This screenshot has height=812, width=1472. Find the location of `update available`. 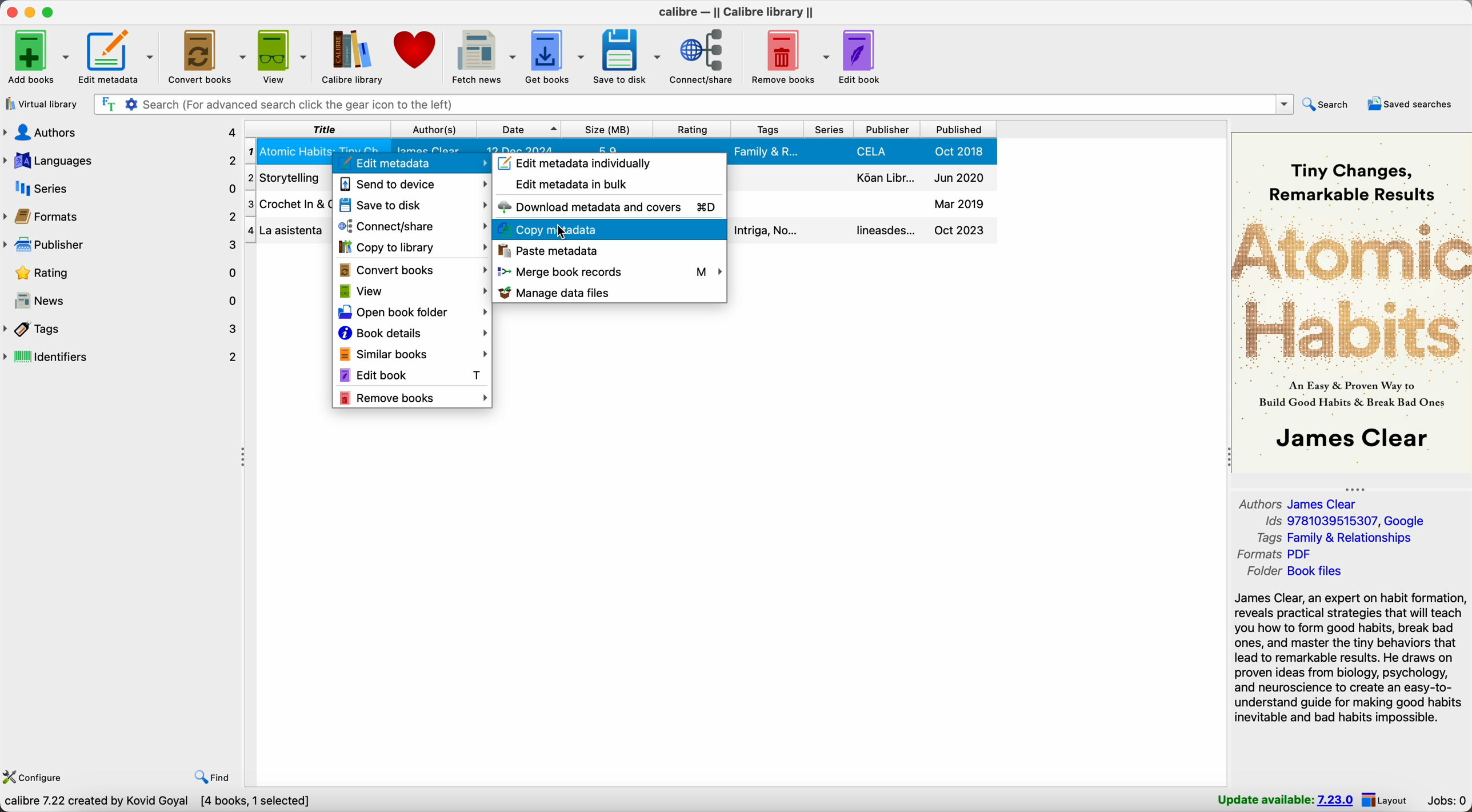

update available is located at coordinates (1282, 800).